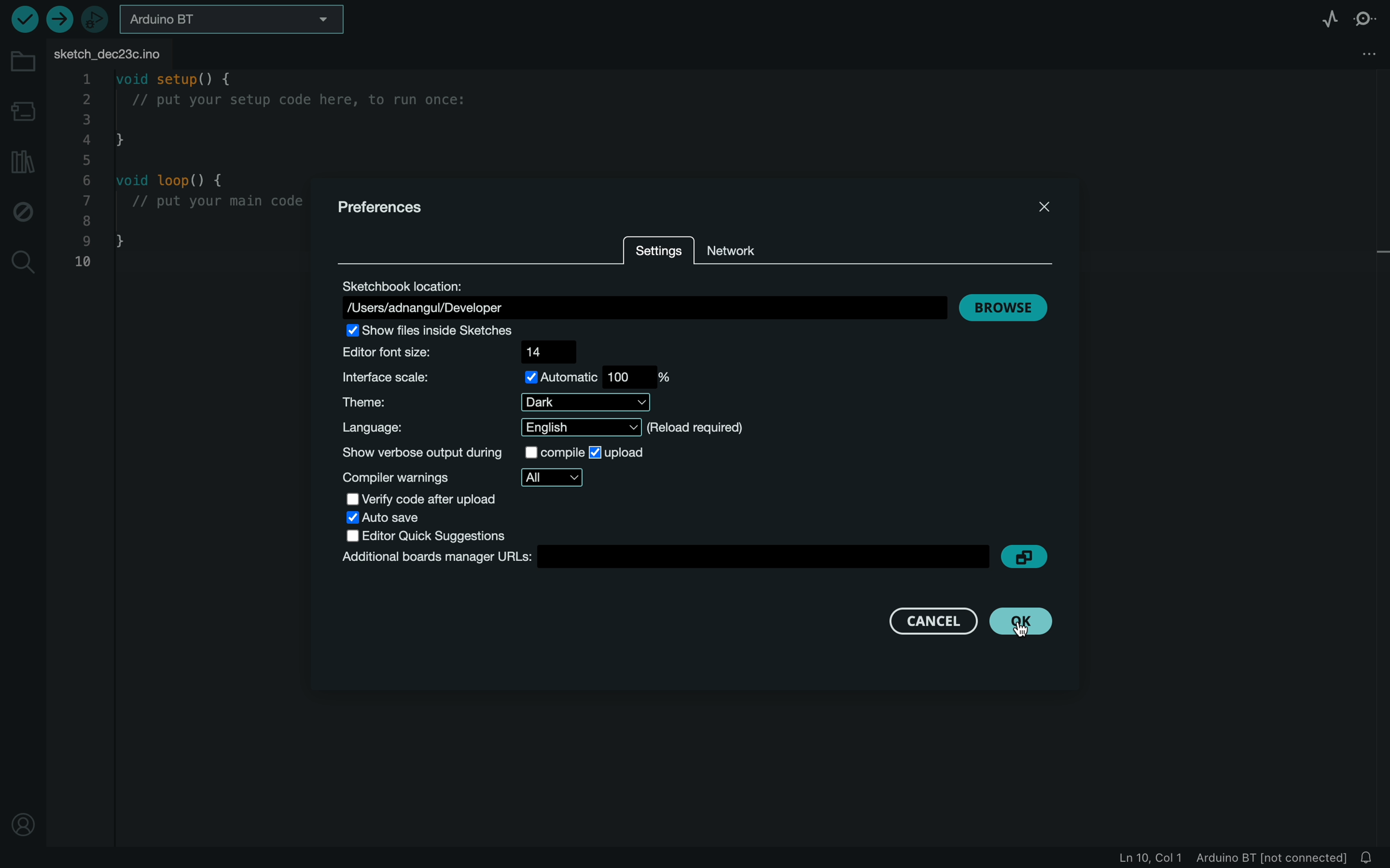 The image size is (1390, 868). I want to click on file settings, so click(1361, 52).